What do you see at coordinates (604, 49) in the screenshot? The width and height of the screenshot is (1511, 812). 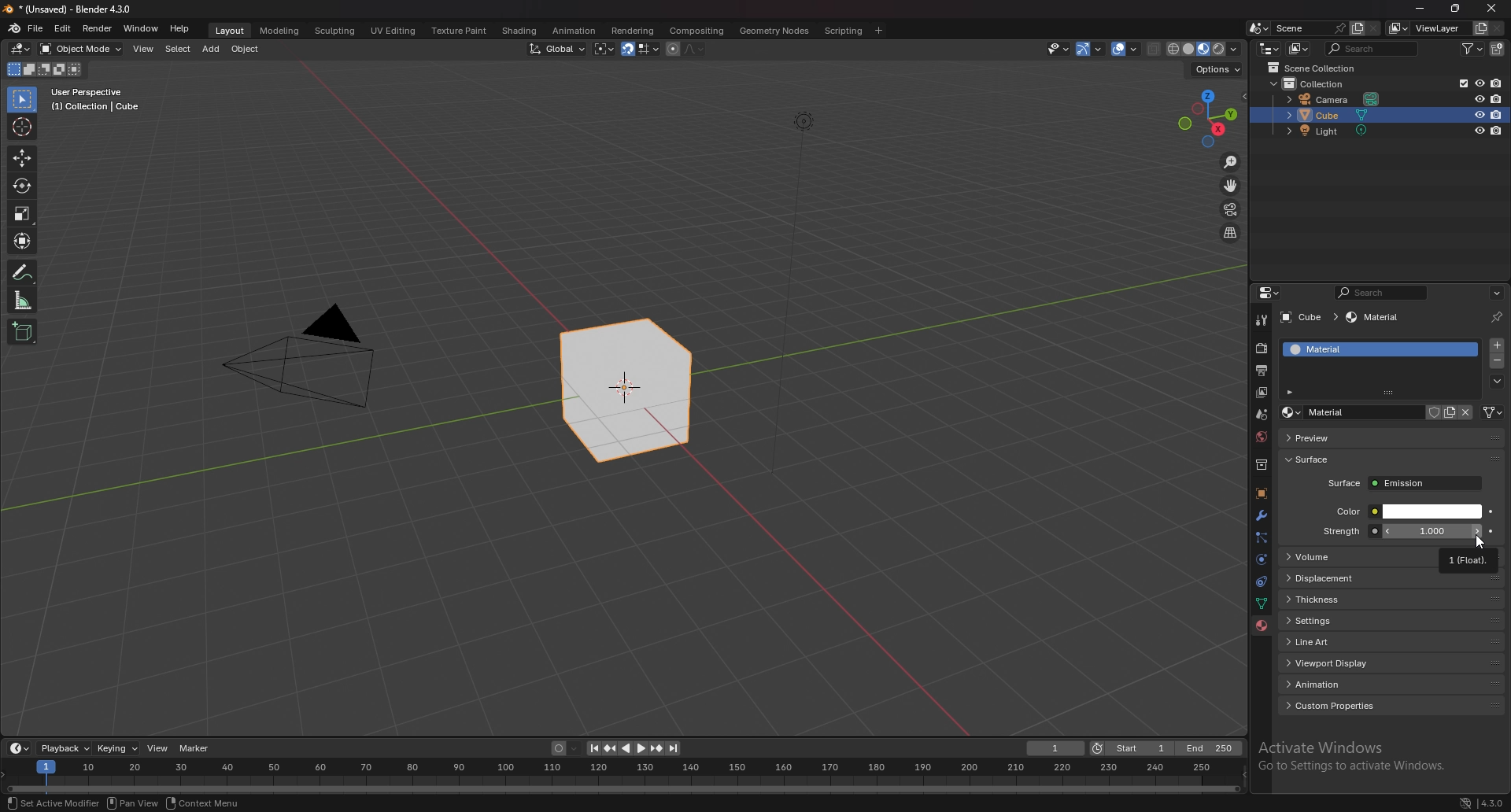 I see `transform pivot point` at bounding box center [604, 49].